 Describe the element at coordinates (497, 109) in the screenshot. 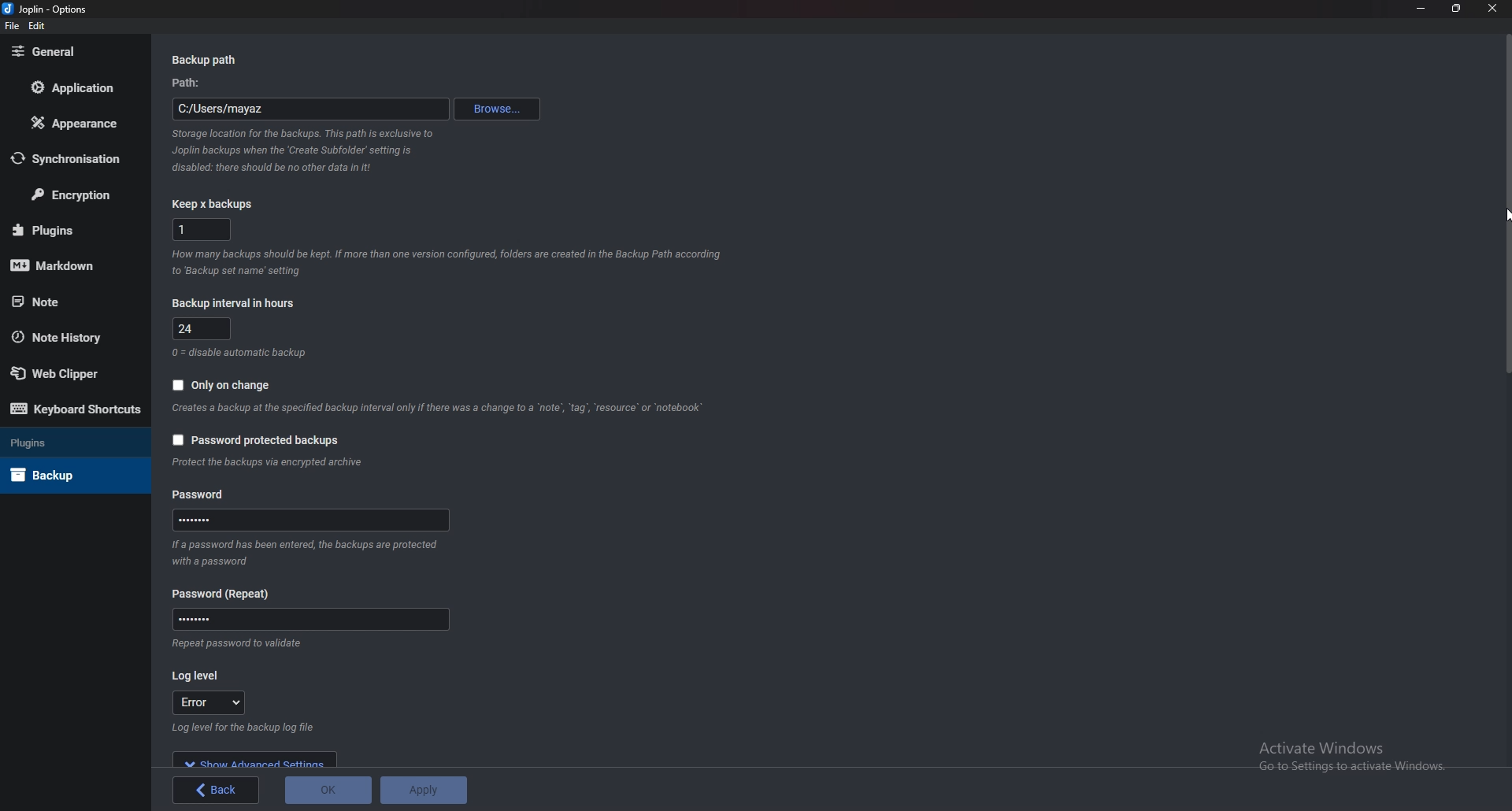

I see `Browse` at that location.